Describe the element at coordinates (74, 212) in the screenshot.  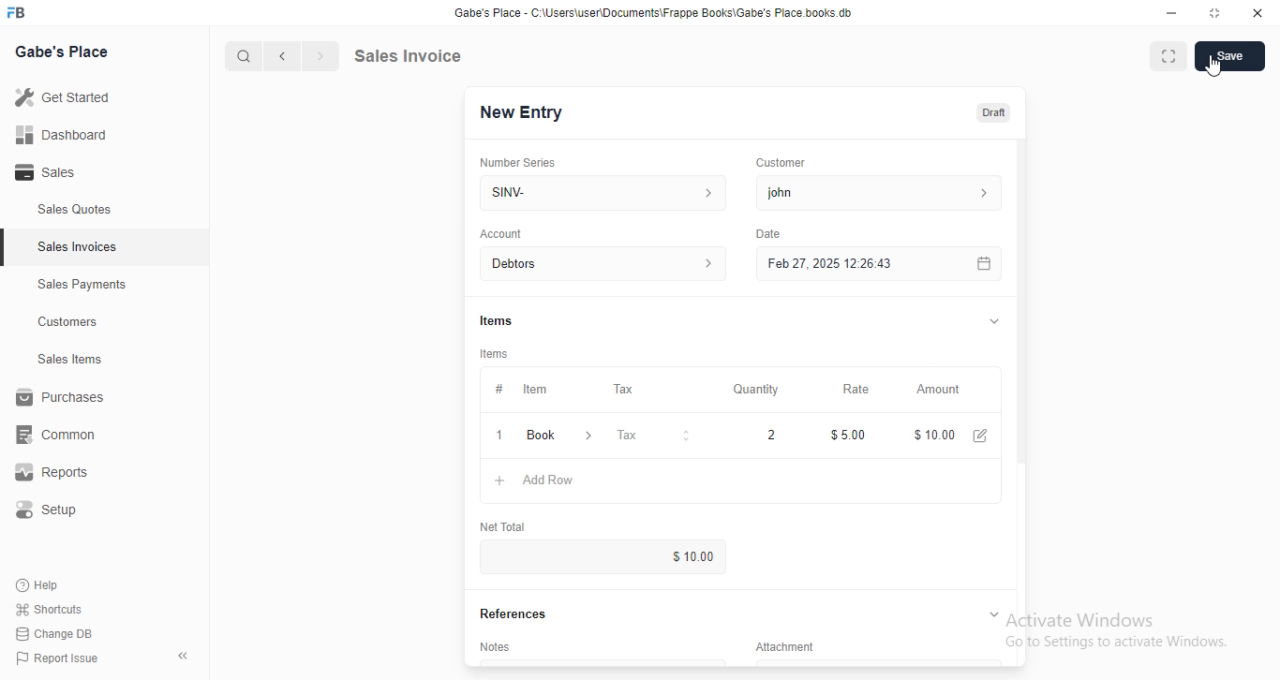
I see `Sales Quotes` at that location.